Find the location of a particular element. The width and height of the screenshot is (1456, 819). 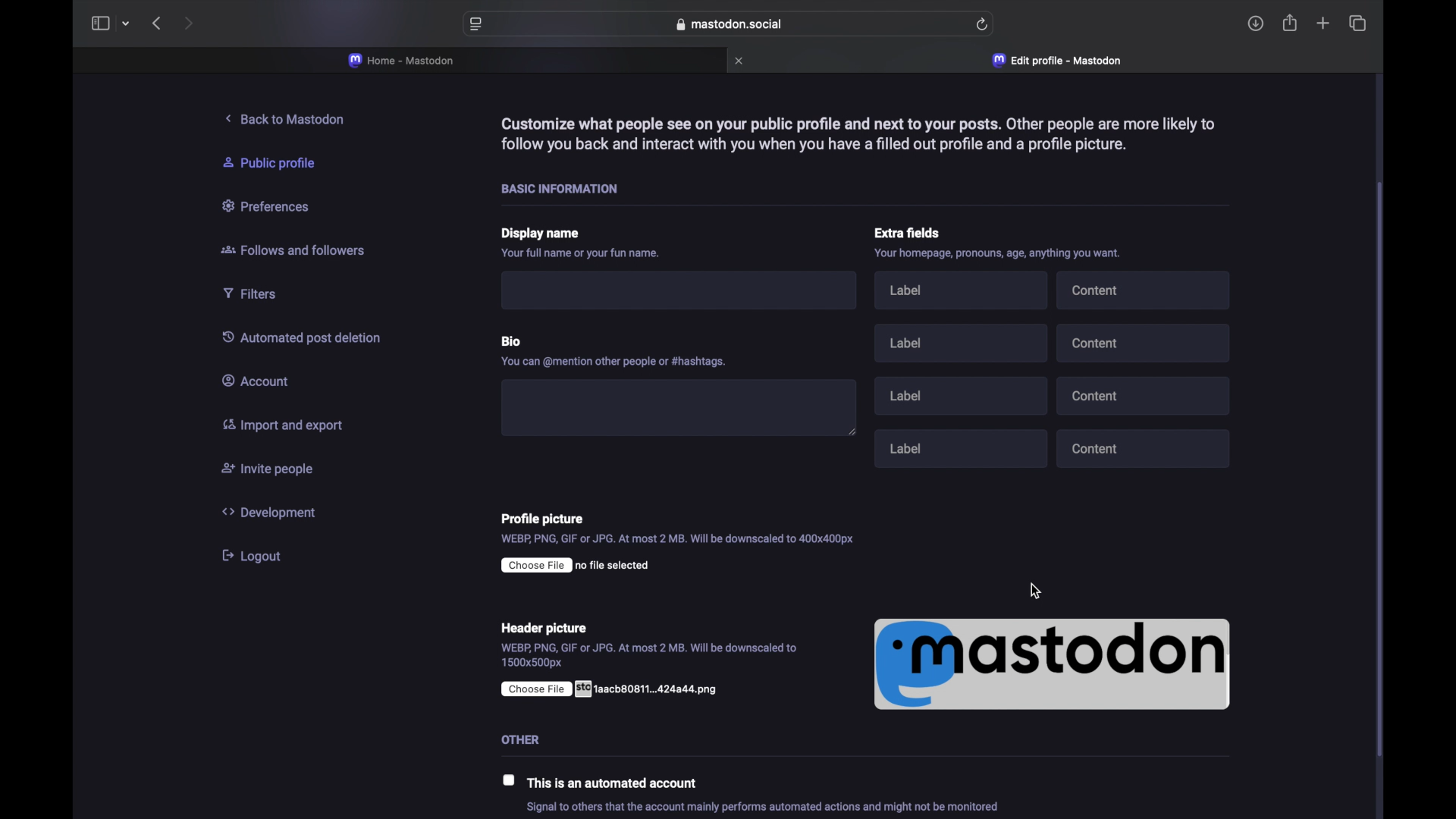

show tab overview is located at coordinates (1357, 23).